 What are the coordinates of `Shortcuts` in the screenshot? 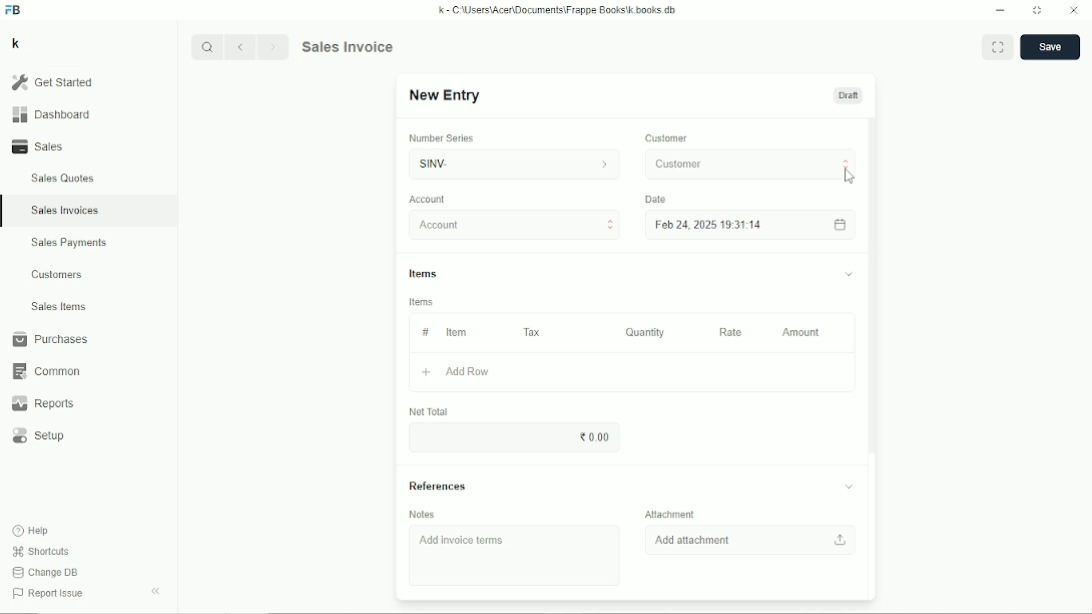 It's located at (40, 551).